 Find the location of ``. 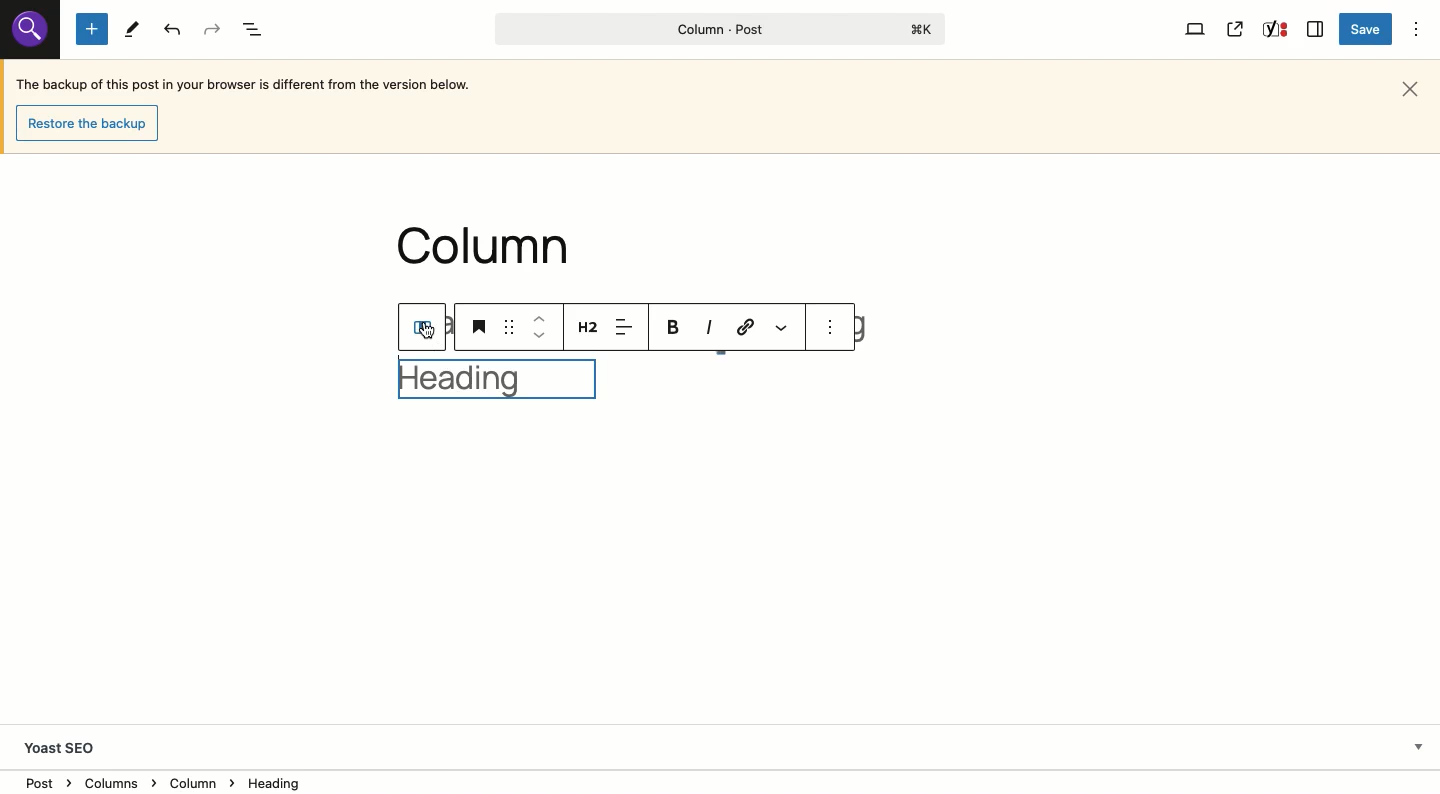

 is located at coordinates (27, 30).